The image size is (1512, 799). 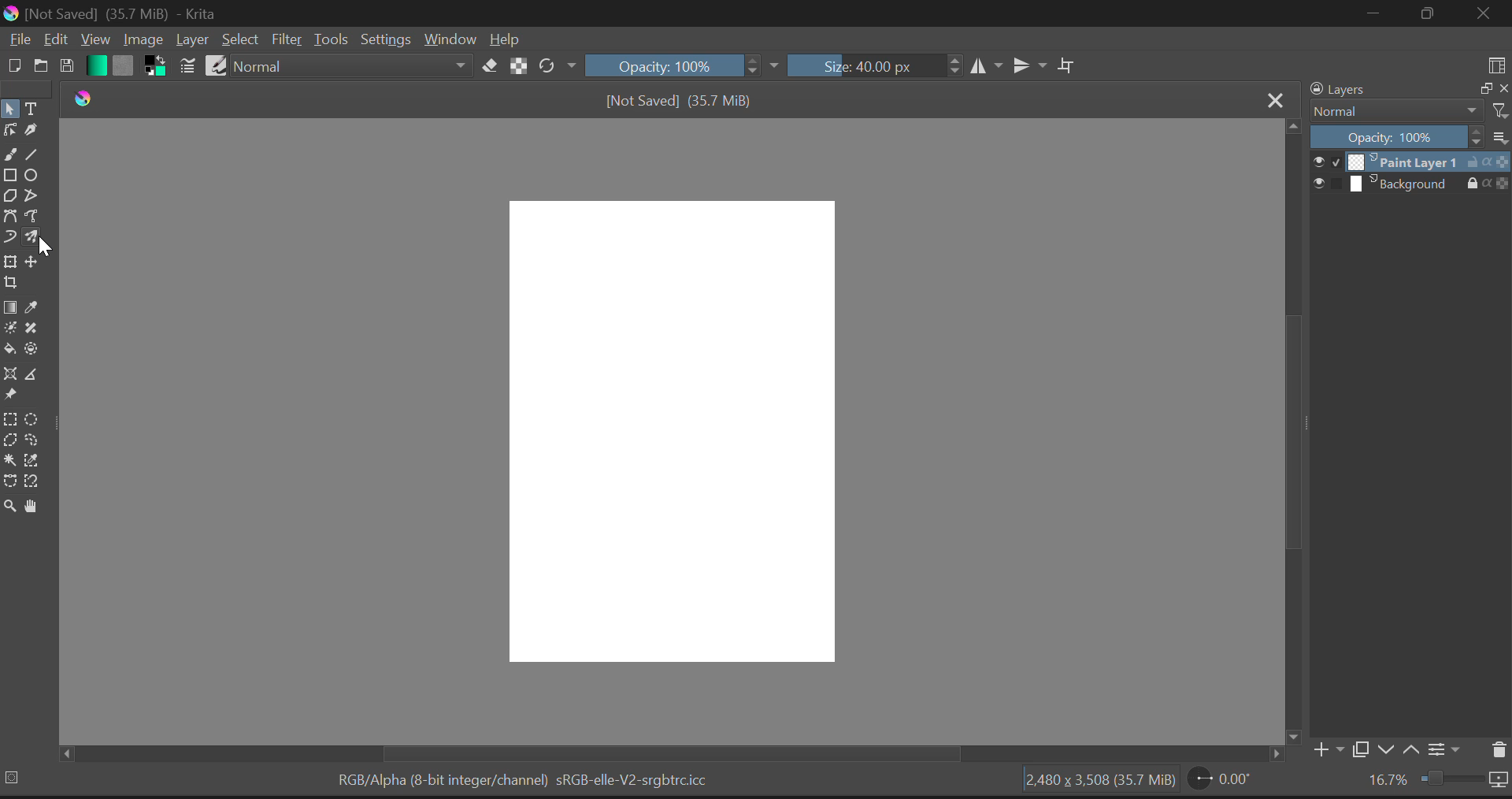 I want to click on Rectangles, so click(x=10, y=175).